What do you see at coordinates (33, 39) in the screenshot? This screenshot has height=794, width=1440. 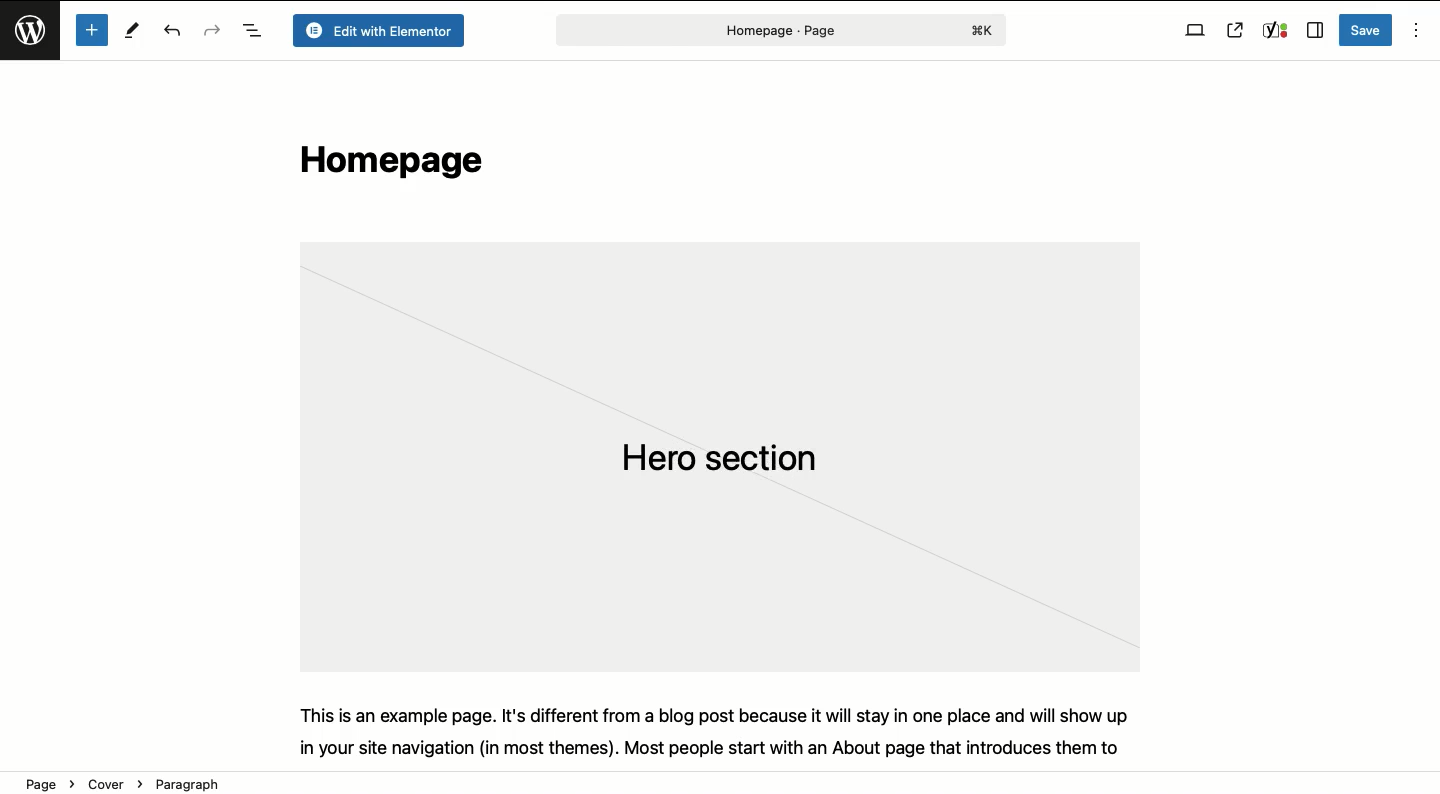 I see `Wordpress logo` at bounding box center [33, 39].